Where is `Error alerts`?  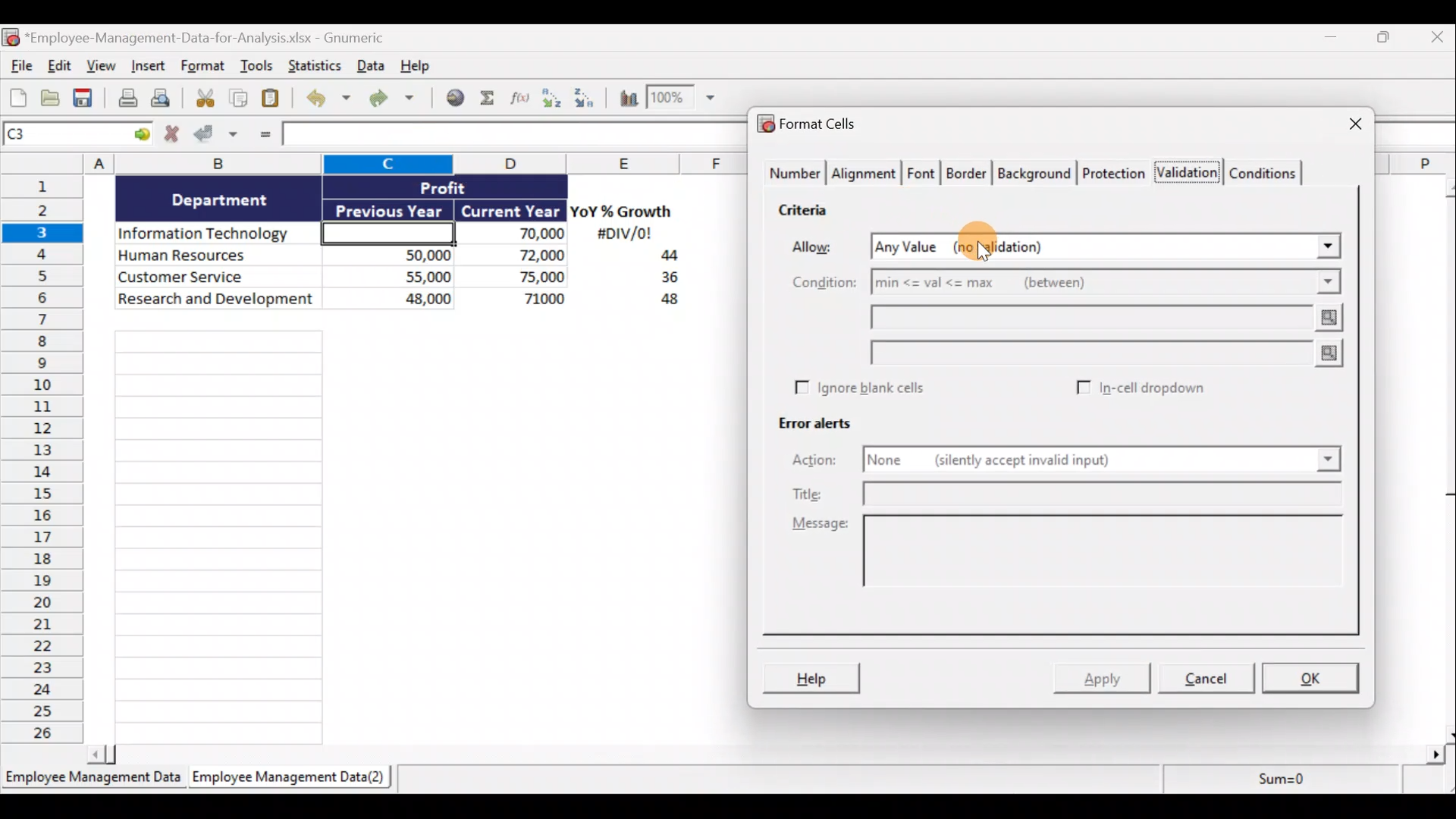 Error alerts is located at coordinates (821, 430).